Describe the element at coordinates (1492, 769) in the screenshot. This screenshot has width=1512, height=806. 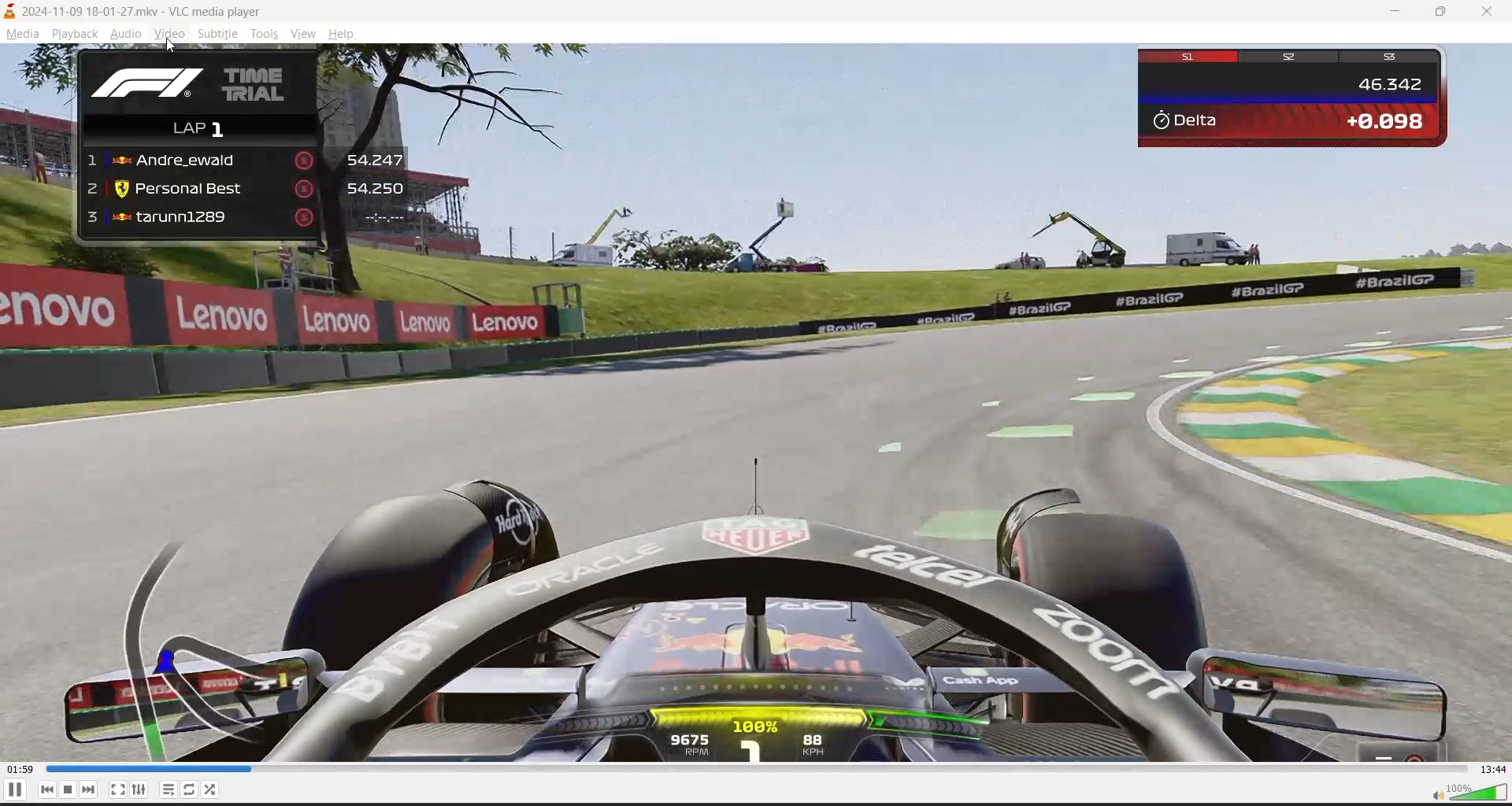
I see `total track time` at that location.